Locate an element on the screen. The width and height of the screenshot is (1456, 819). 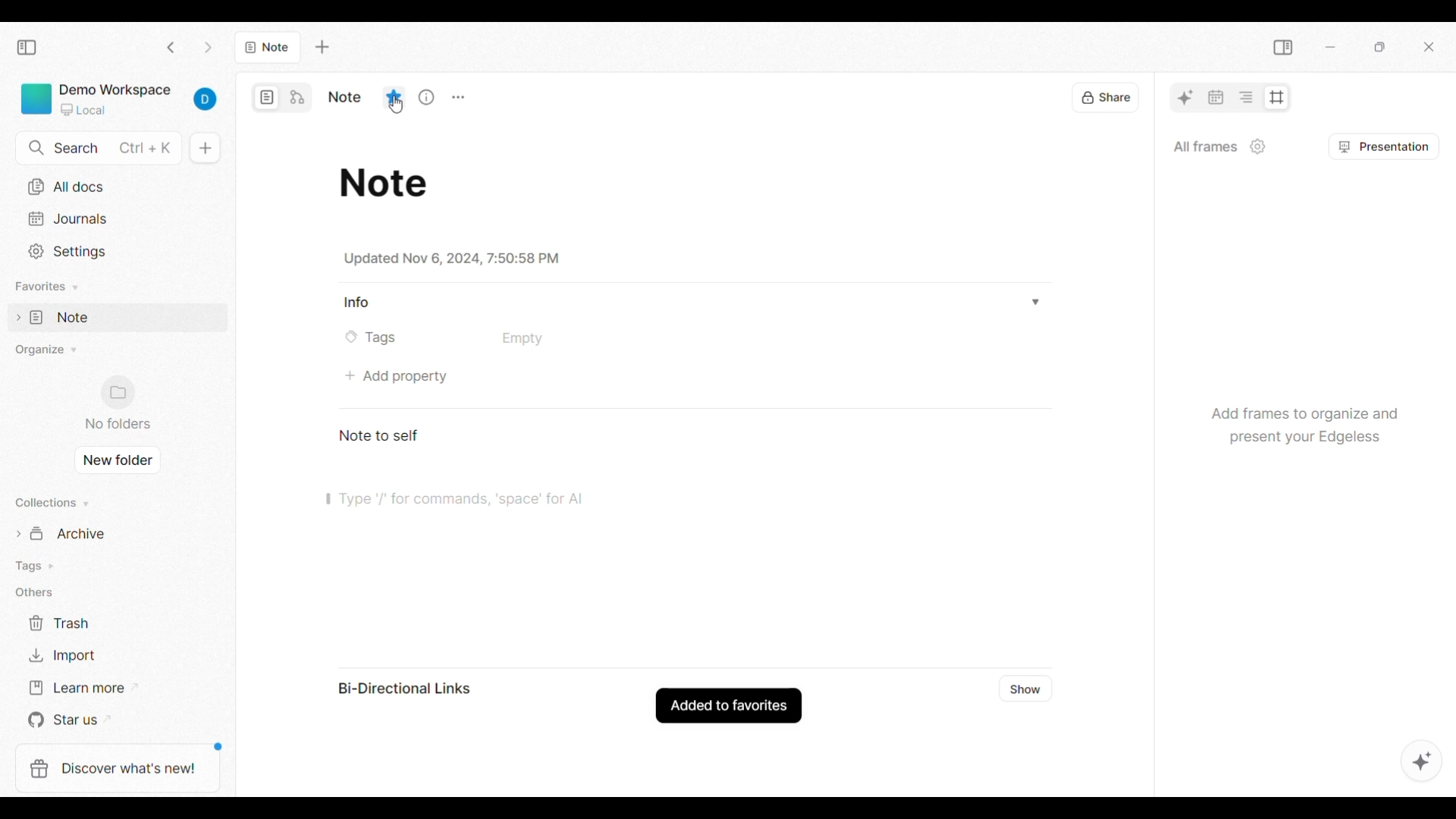
Import folder is located at coordinates (93, 654).